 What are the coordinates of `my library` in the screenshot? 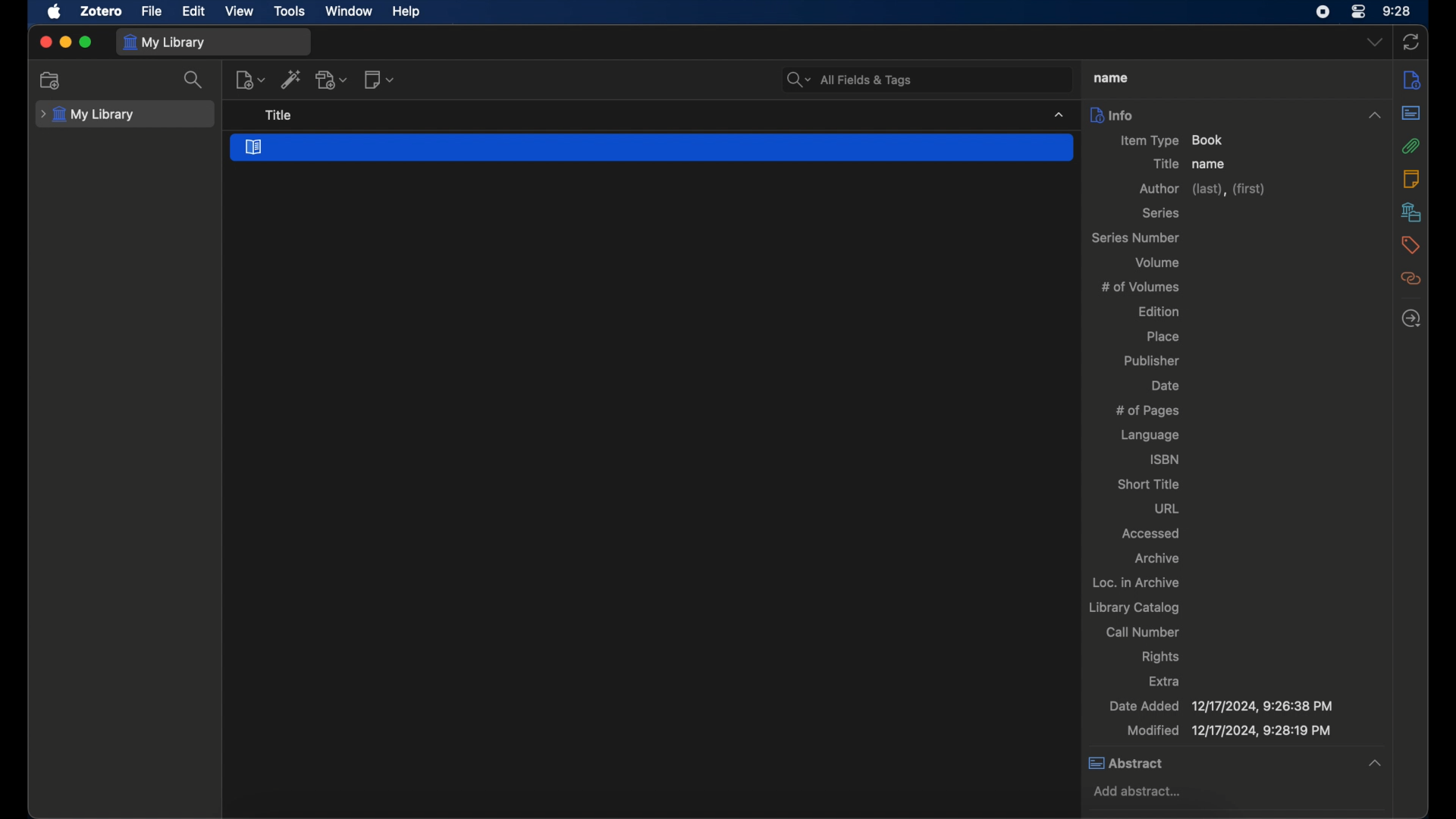 It's located at (90, 115).